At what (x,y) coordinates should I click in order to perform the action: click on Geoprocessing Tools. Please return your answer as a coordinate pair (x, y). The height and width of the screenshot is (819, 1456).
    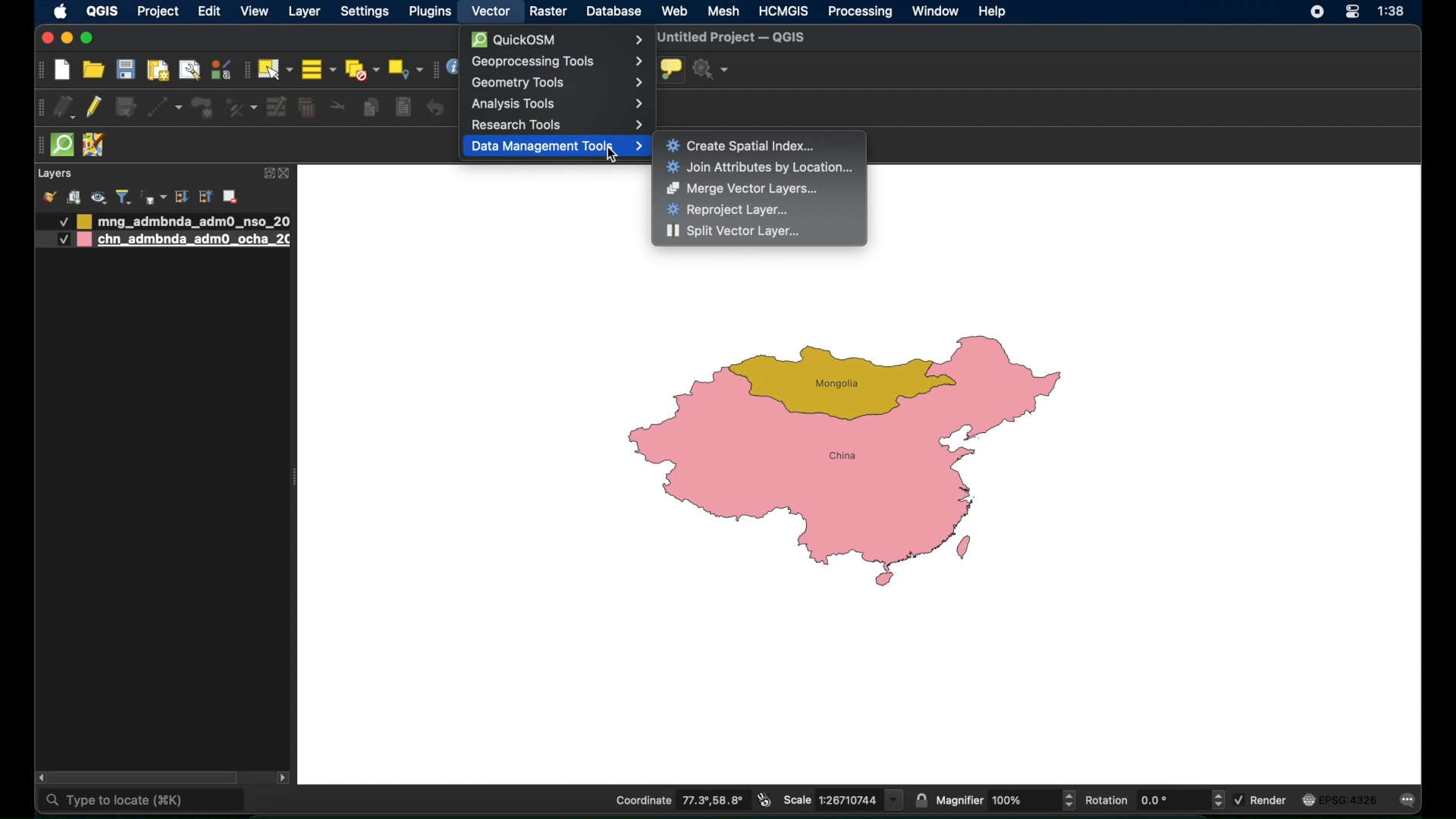
    Looking at the image, I should click on (555, 61).